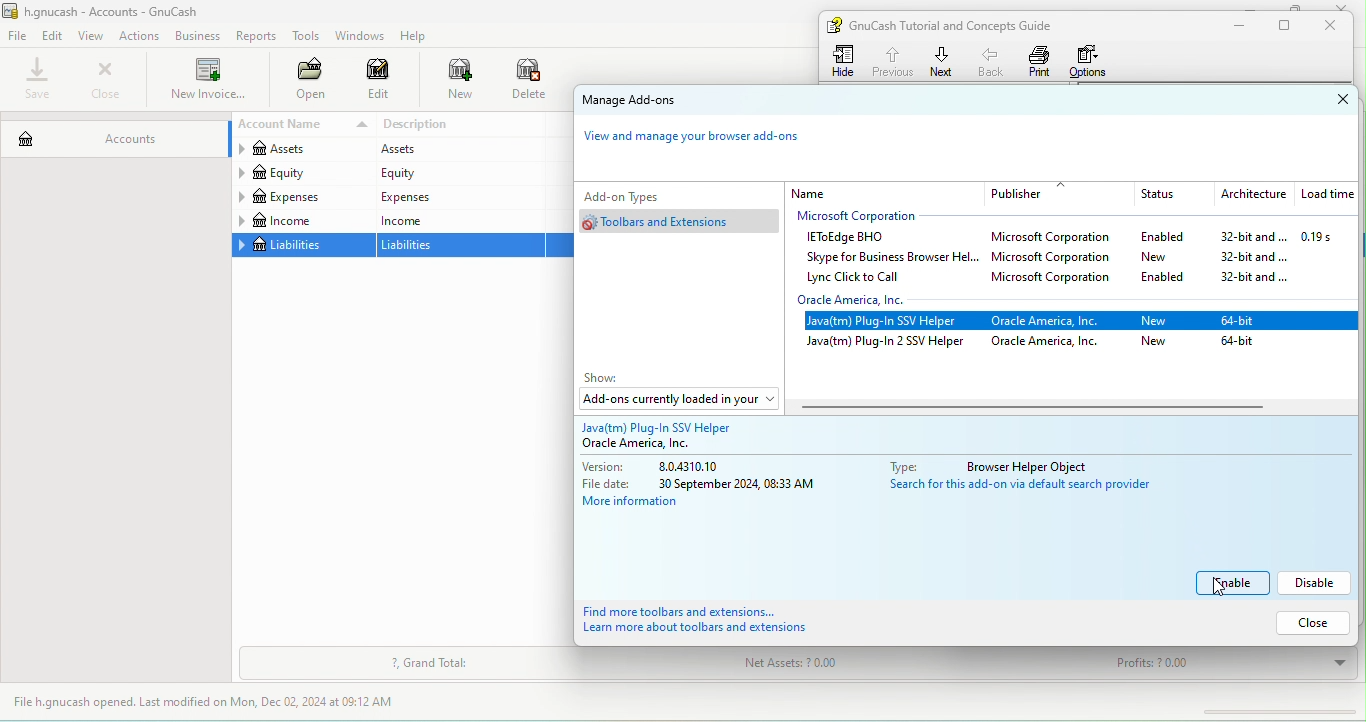 Image resolution: width=1366 pixels, height=722 pixels. Describe the element at coordinates (1235, 26) in the screenshot. I see `minimize` at that location.